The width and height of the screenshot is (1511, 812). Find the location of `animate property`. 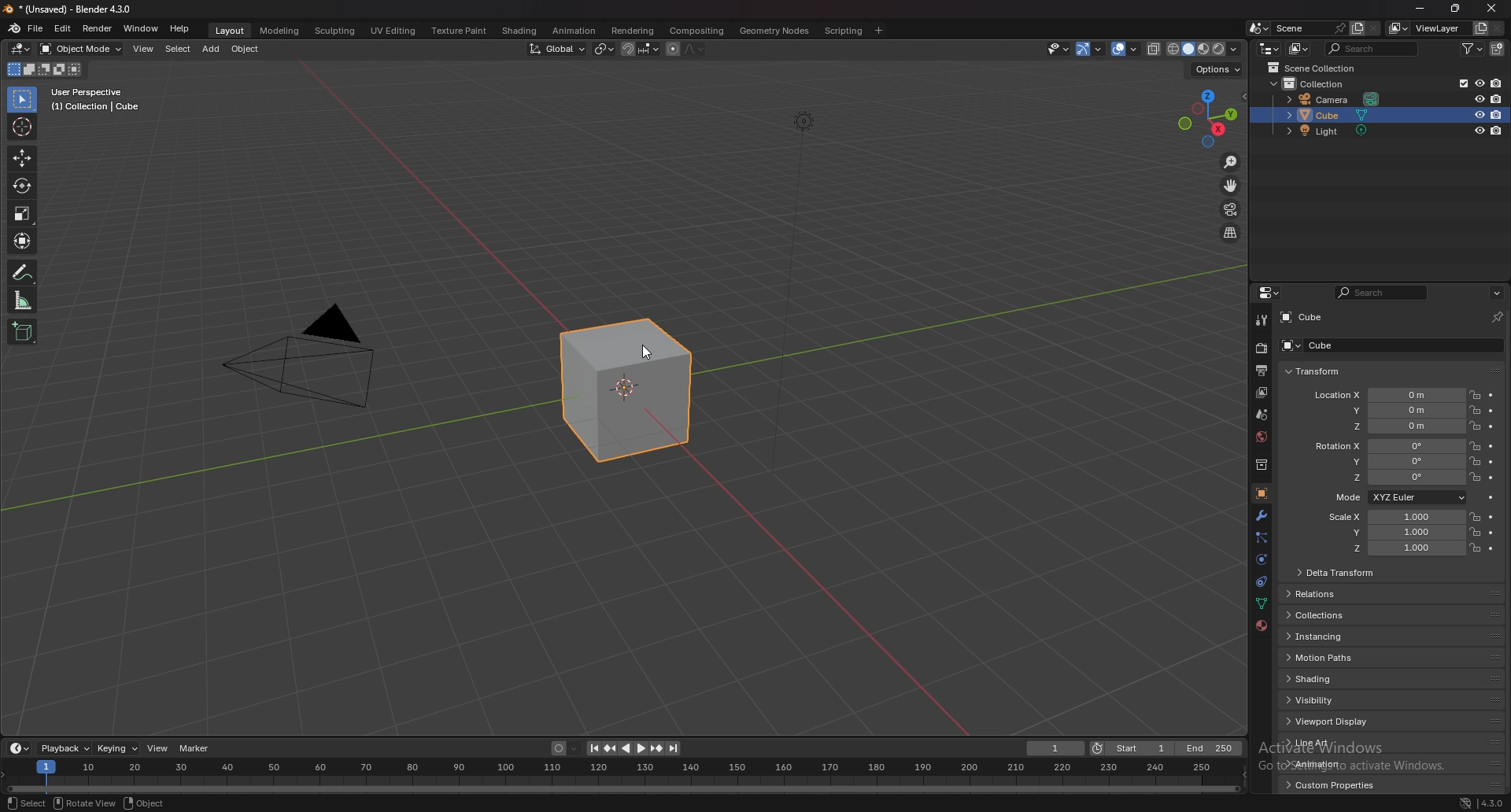

animate property is located at coordinates (1492, 409).